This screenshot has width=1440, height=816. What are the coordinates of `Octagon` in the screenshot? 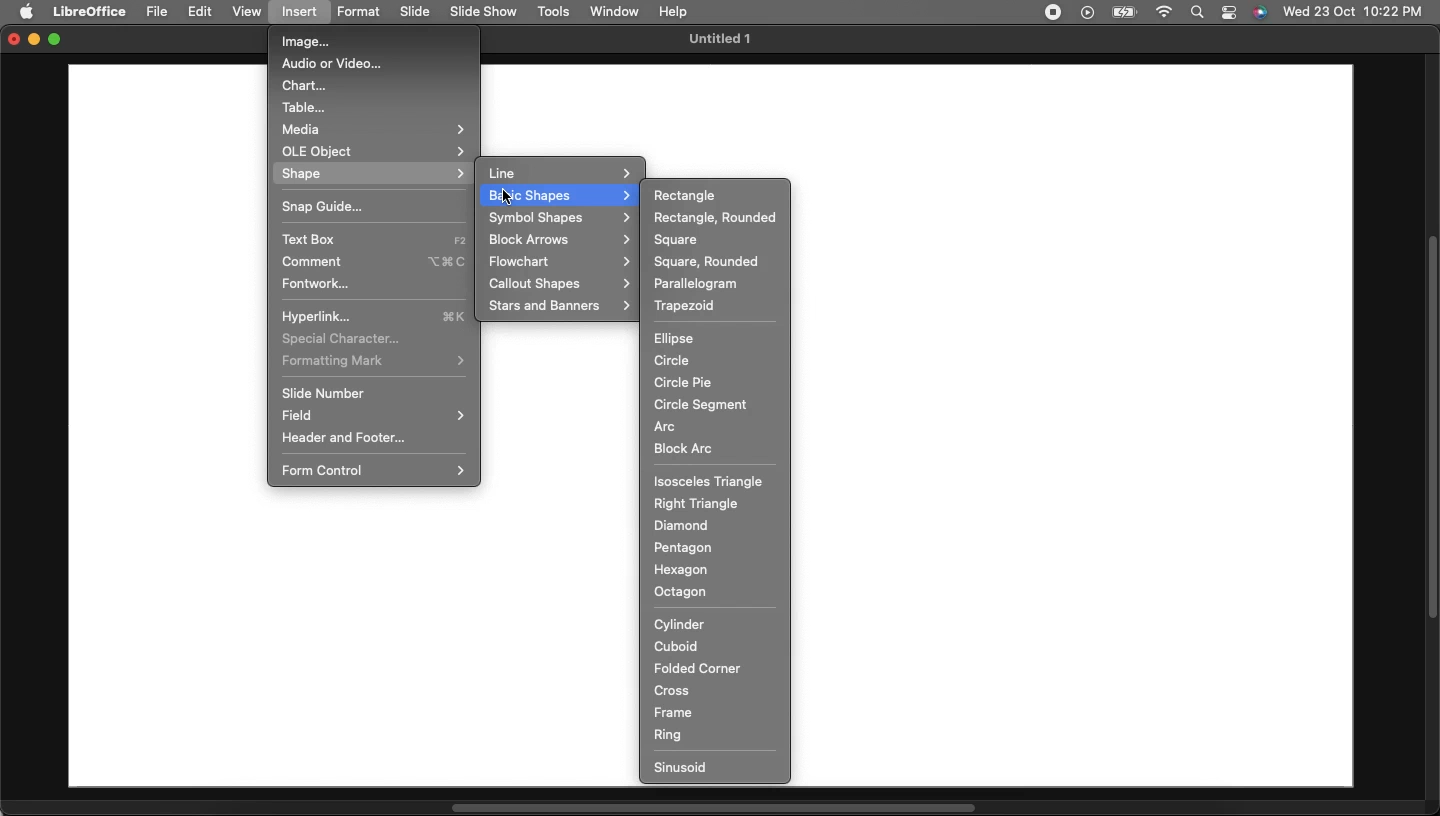 It's located at (682, 592).